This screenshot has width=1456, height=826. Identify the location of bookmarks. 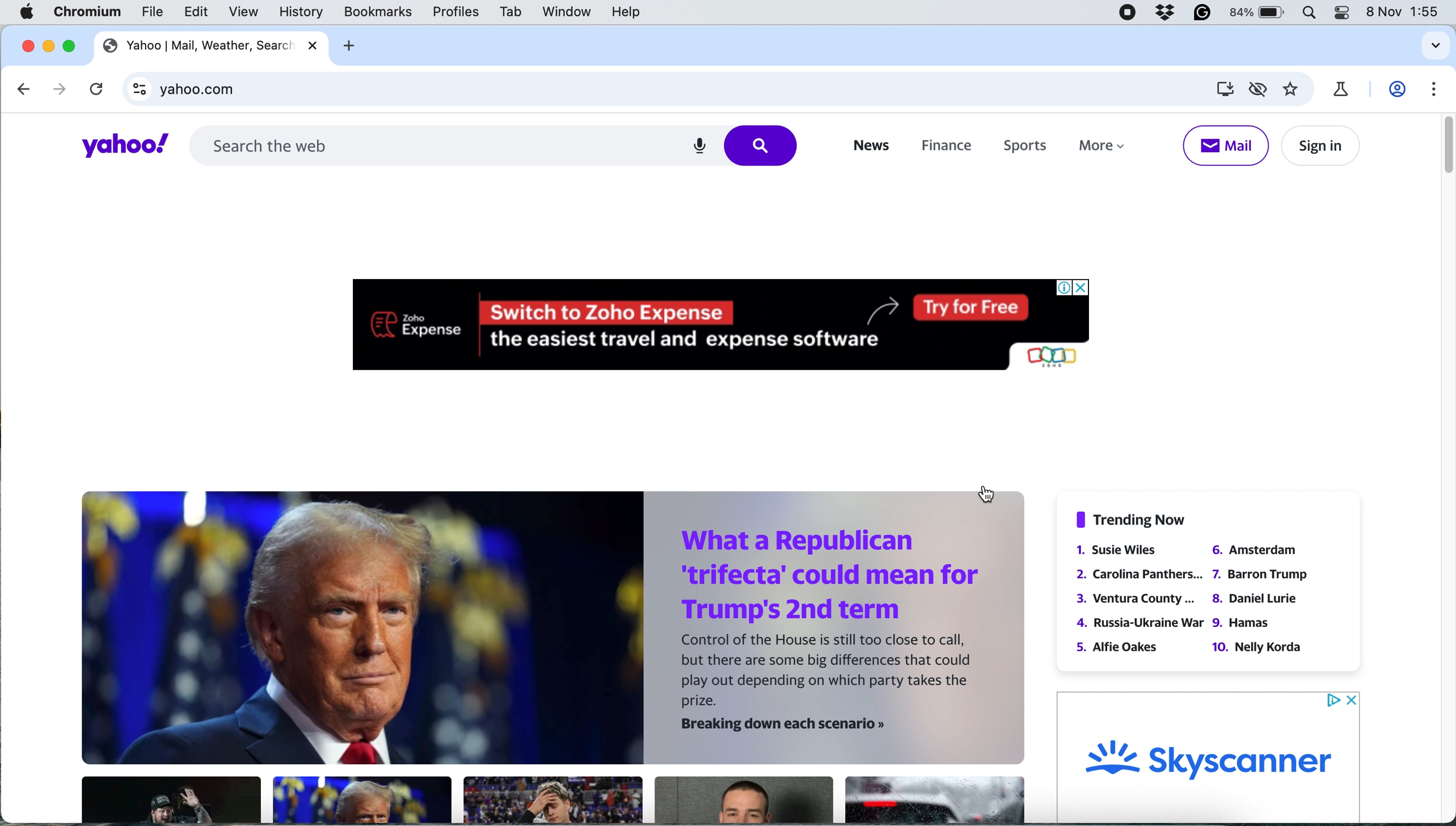
(380, 12).